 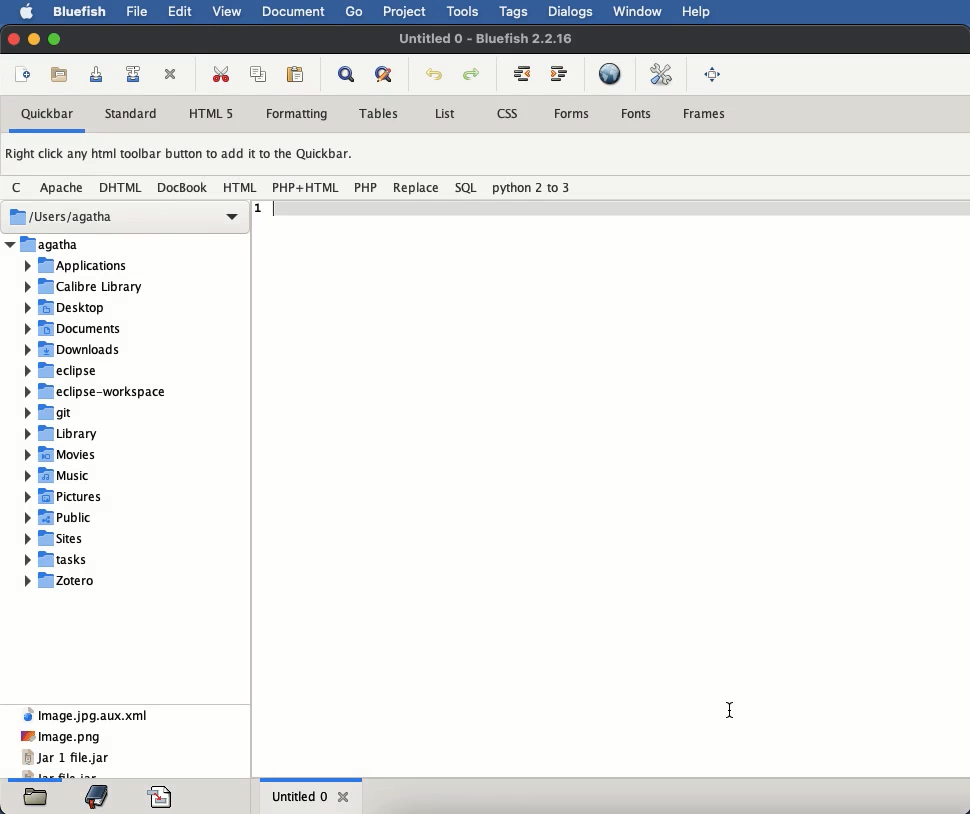 I want to click on html 5, so click(x=212, y=114).